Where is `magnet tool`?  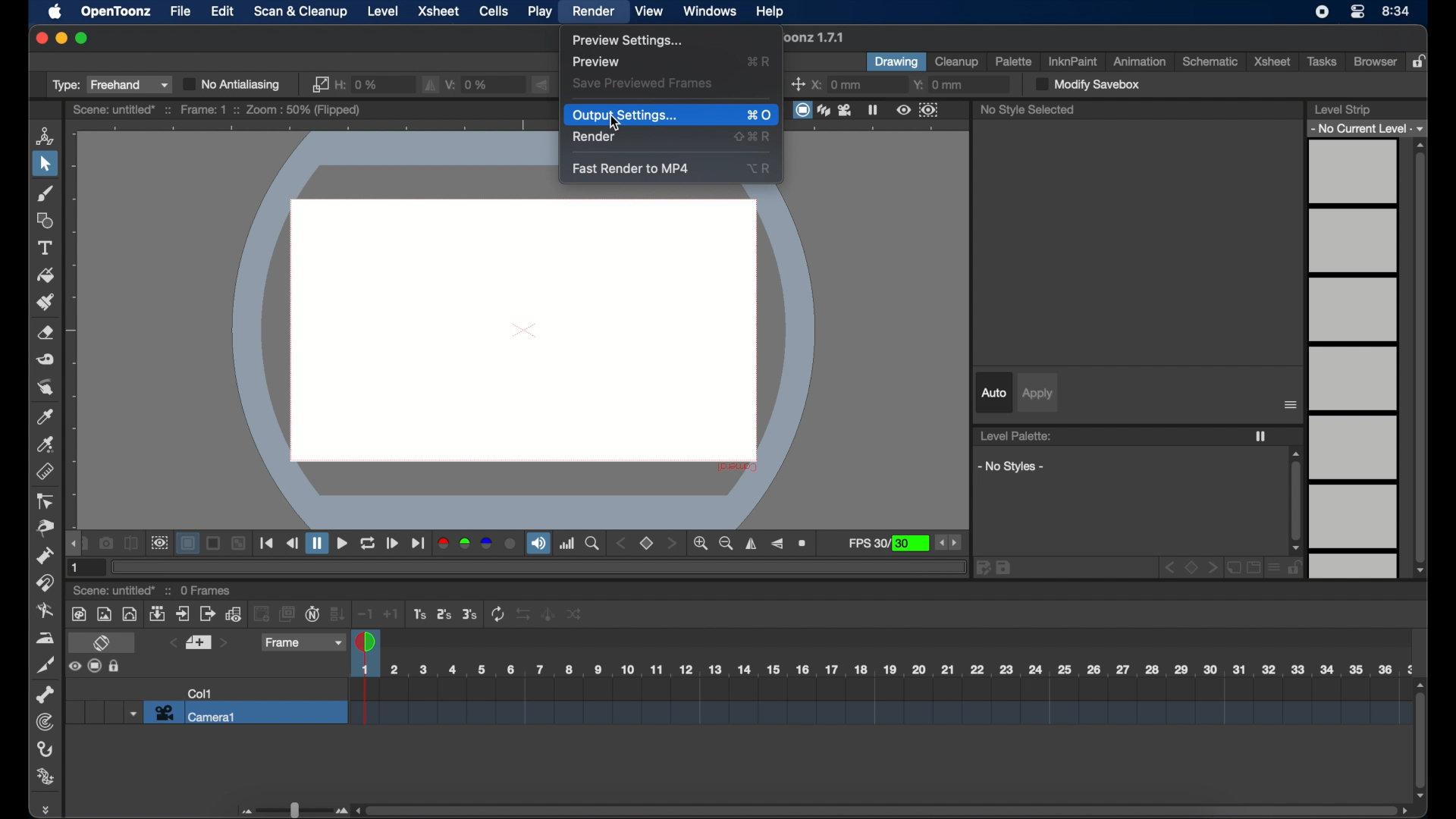
magnet tool is located at coordinates (46, 582).